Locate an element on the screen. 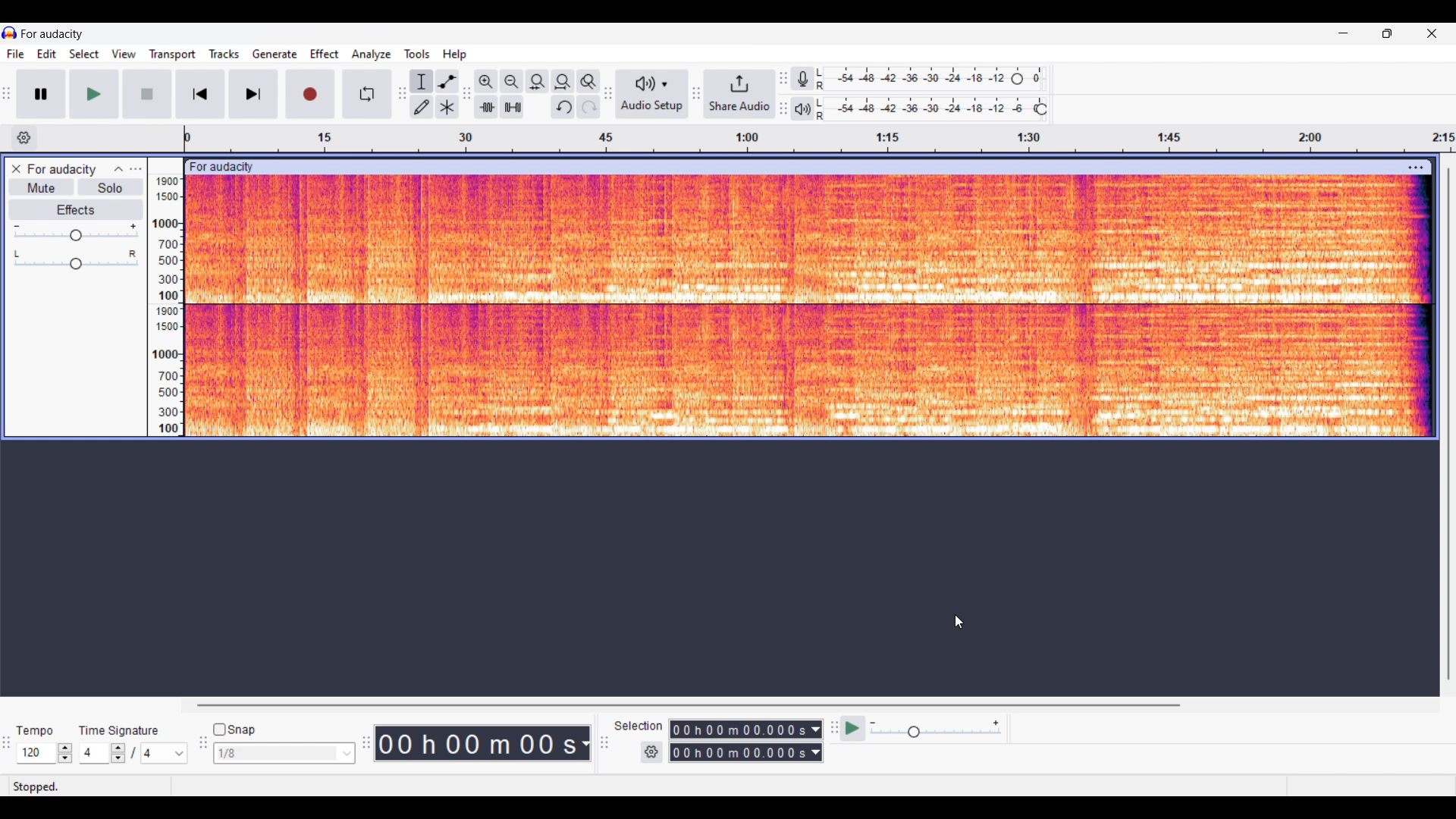 The height and width of the screenshot is (819, 1456). Enable looping is located at coordinates (367, 94).